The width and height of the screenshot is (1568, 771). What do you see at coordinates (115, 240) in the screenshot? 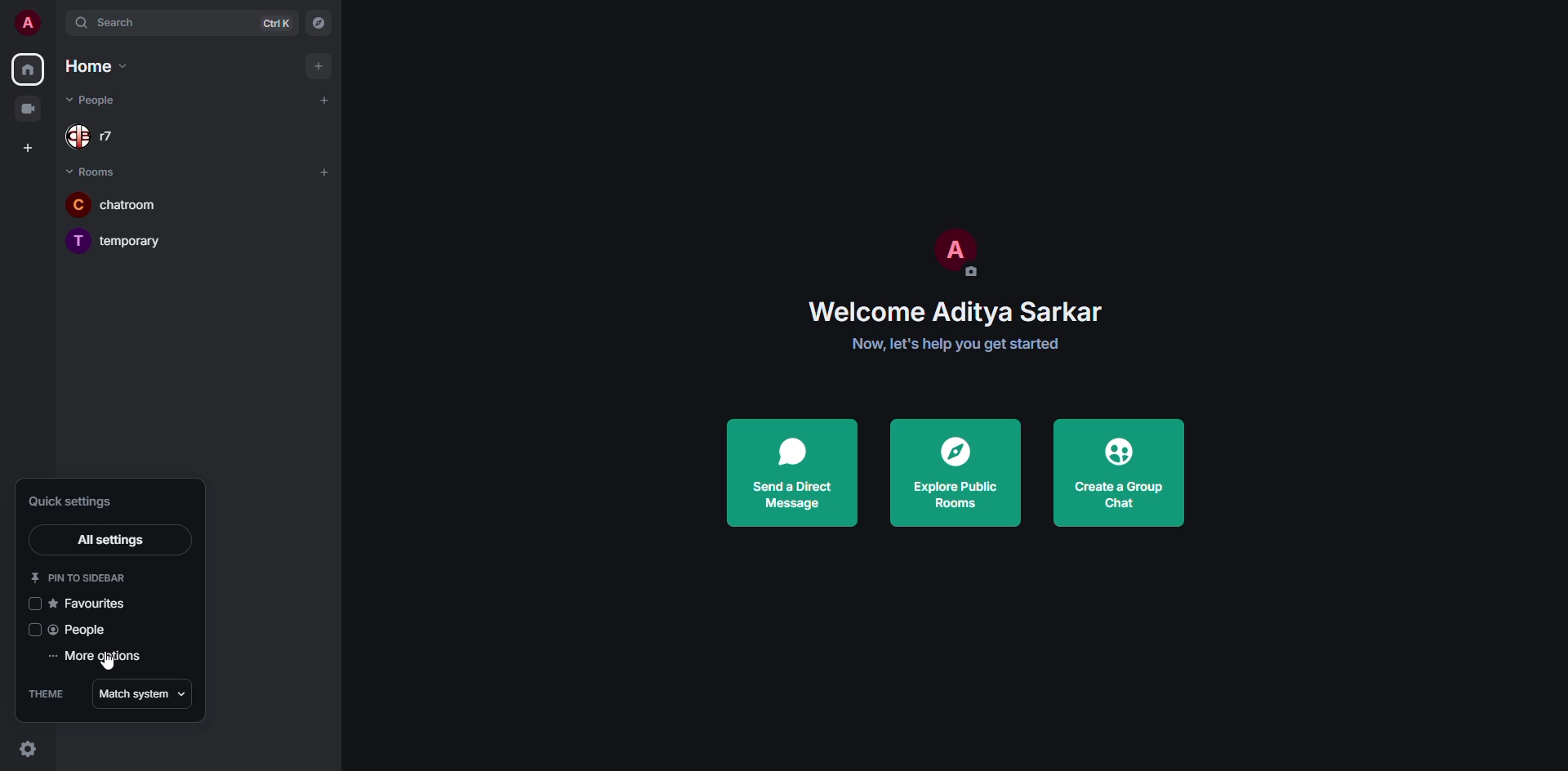
I see `temporary` at bounding box center [115, 240].